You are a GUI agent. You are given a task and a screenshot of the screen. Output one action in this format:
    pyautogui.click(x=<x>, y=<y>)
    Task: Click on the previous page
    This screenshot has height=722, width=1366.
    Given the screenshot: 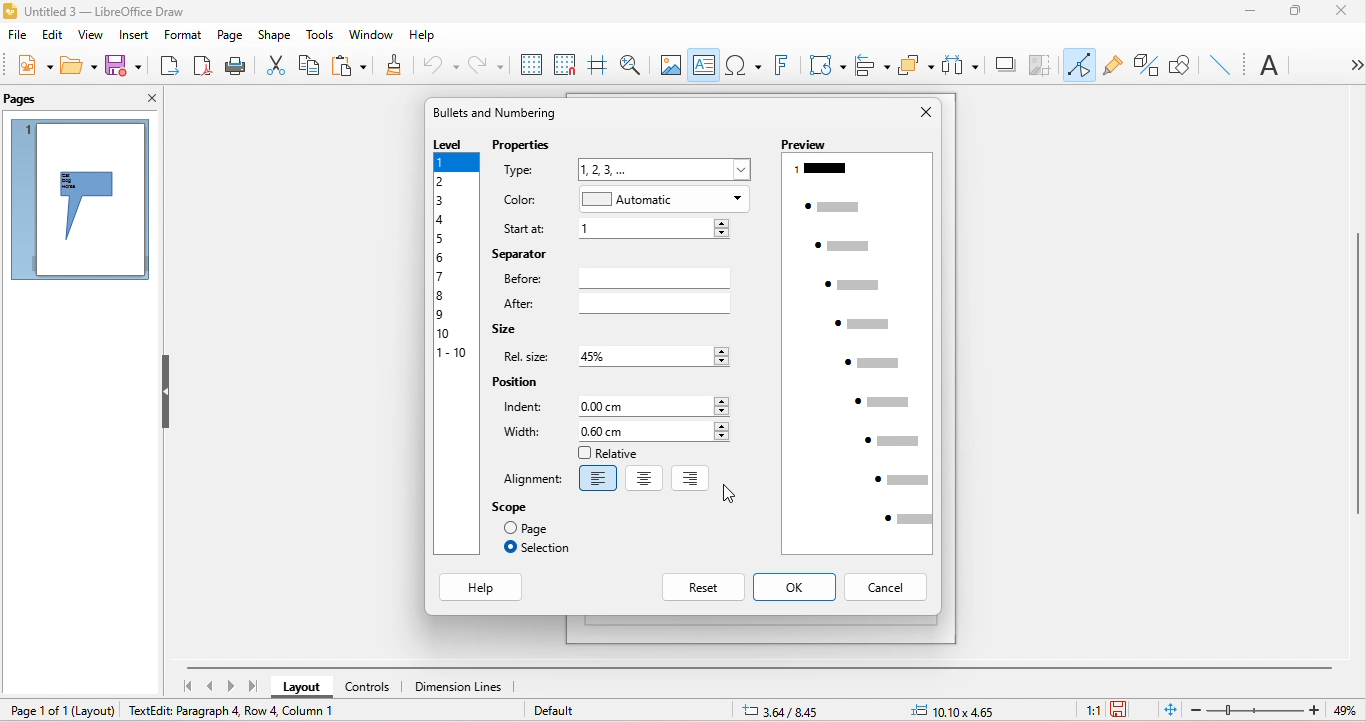 What is the action you would take?
    pyautogui.click(x=212, y=686)
    